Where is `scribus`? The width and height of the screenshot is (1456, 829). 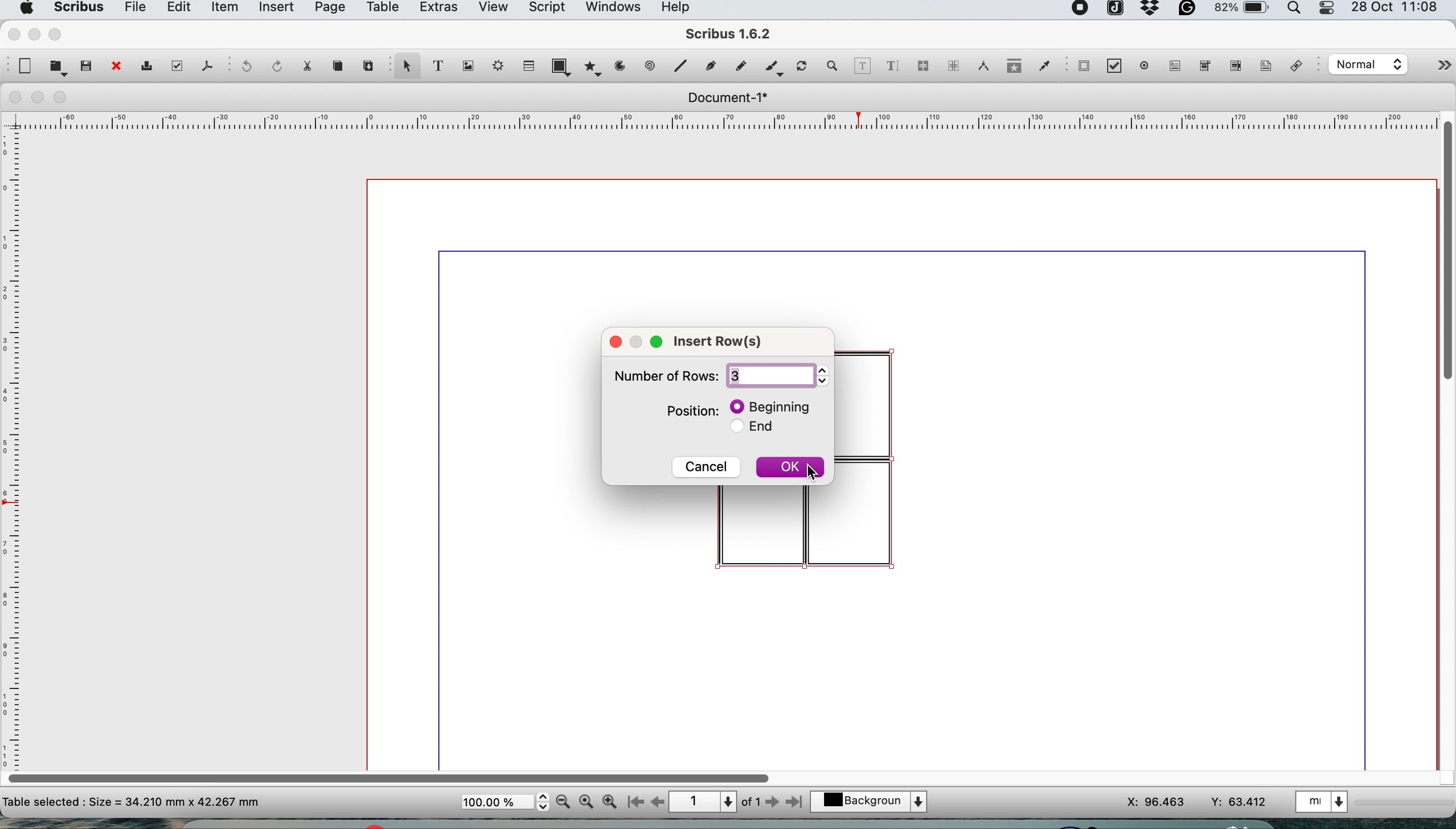
scribus is located at coordinates (729, 35).